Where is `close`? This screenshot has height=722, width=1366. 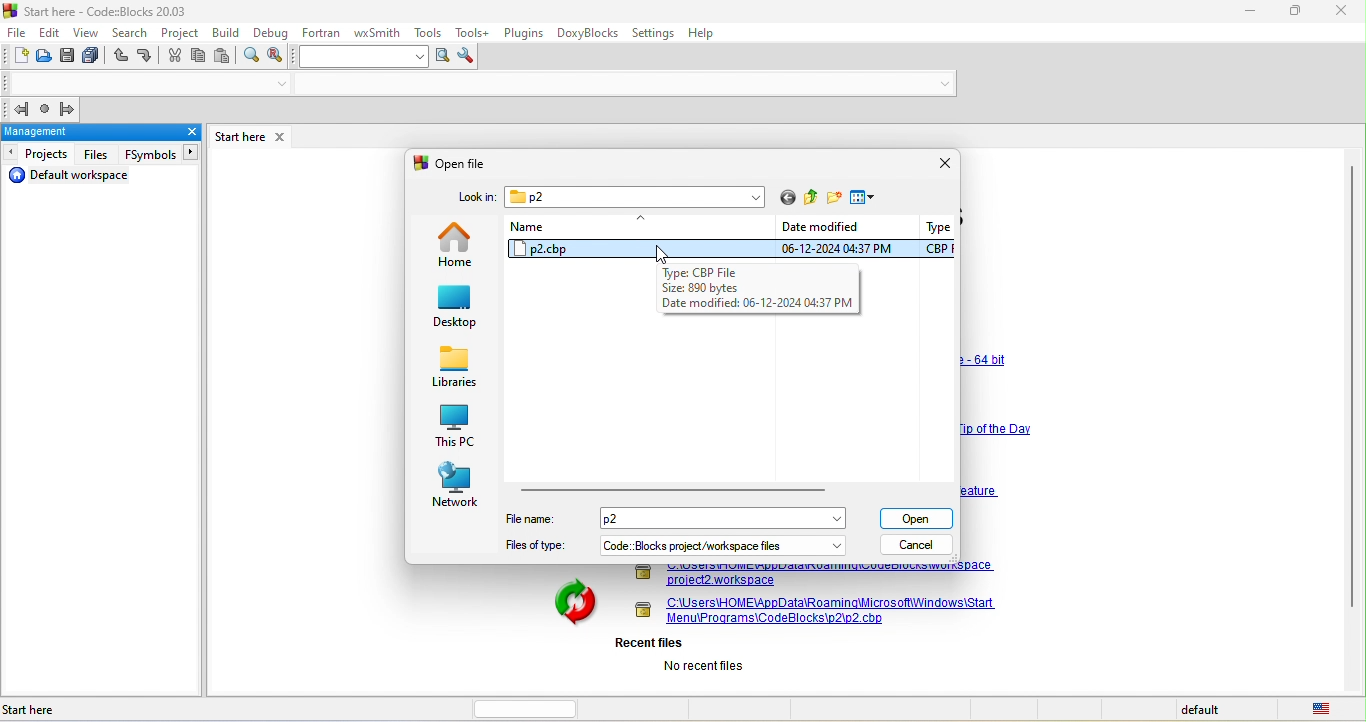
close is located at coordinates (946, 163).